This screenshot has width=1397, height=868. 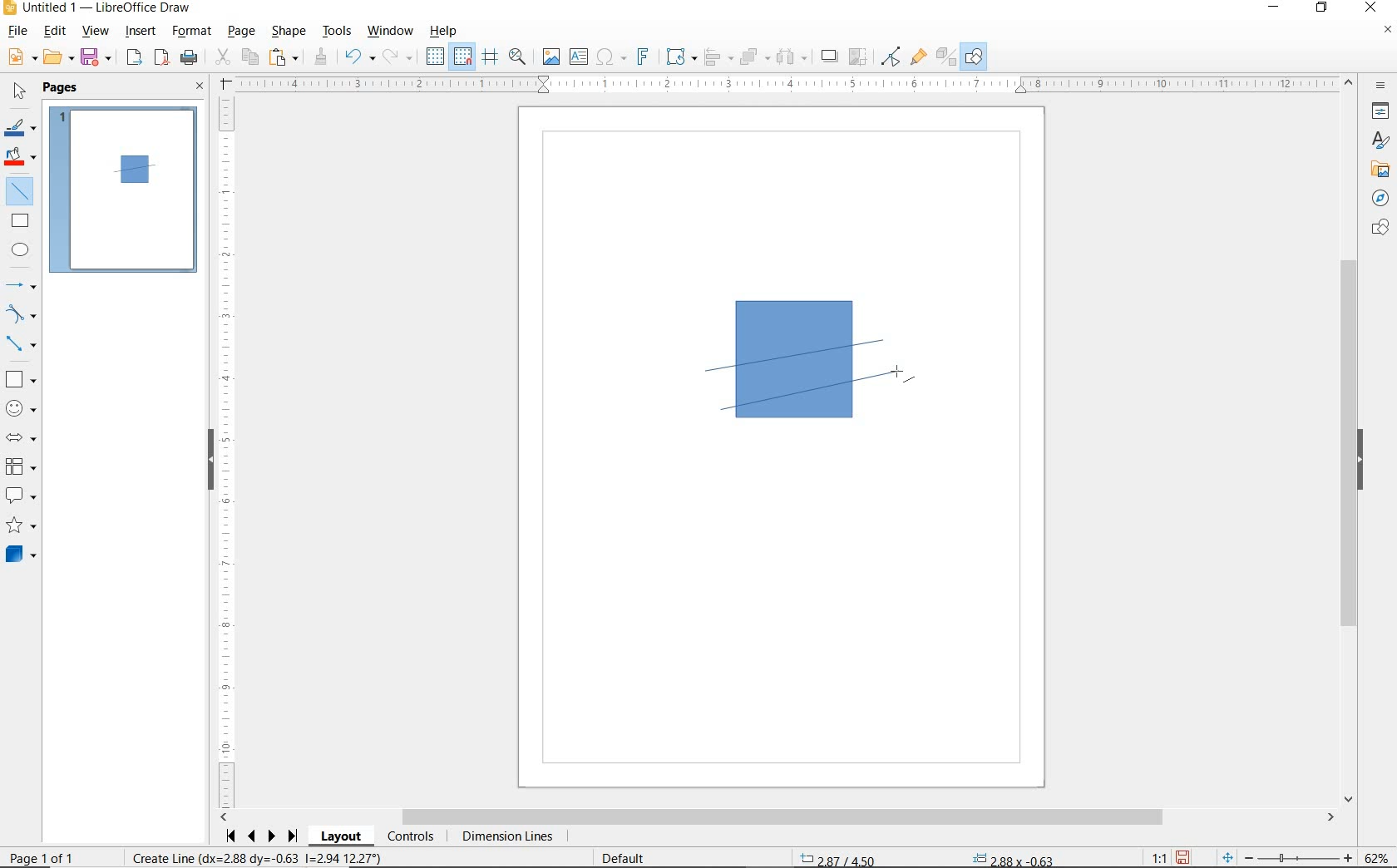 What do you see at coordinates (410, 837) in the screenshot?
I see `CONTROLS` at bounding box center [410, 837].